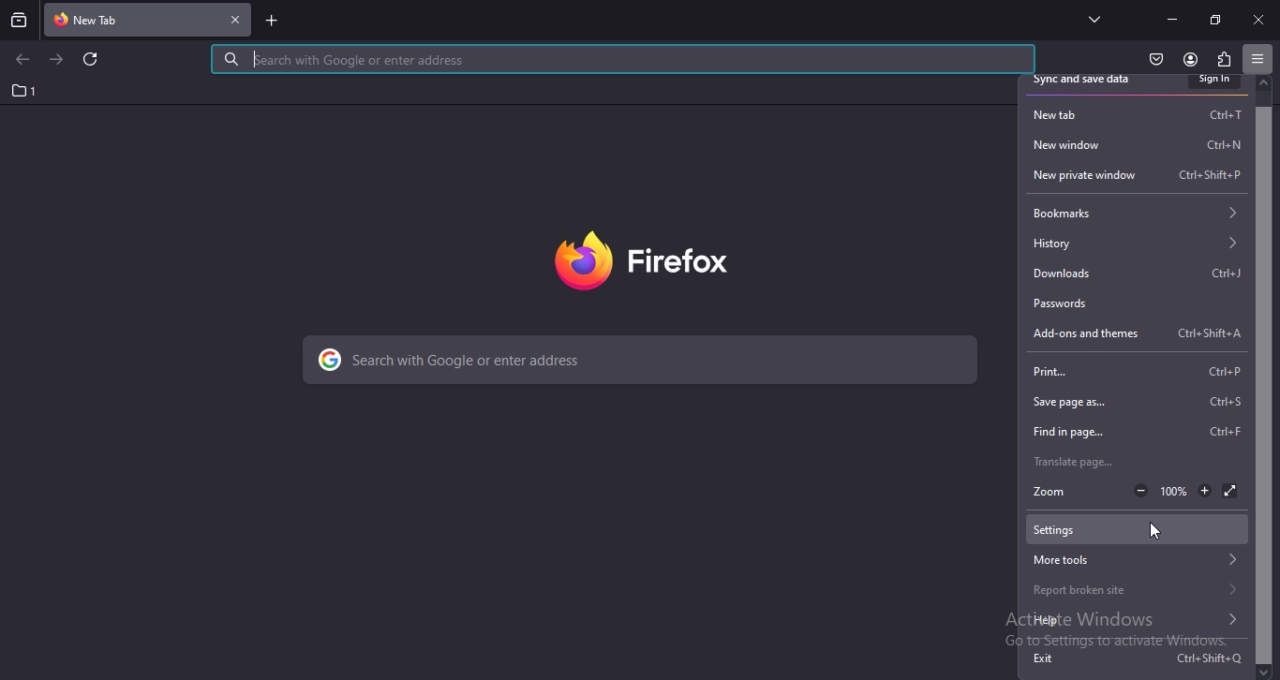 The height and width of the screenshot is (680, 1280). I want to click on search tabs, so click(19, 19).